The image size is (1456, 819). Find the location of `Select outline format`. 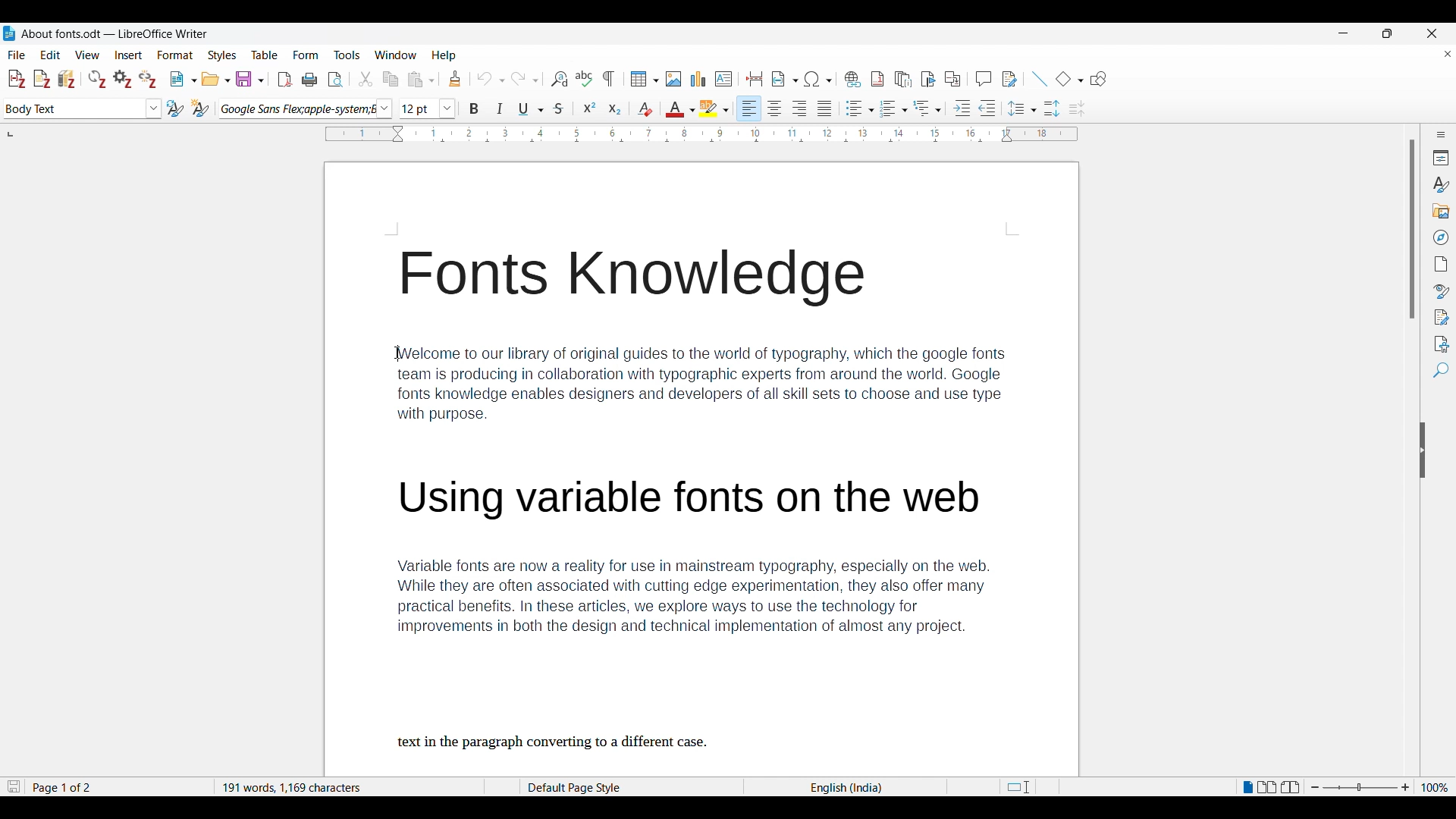

Select outline format is located at coordinates (927, 108).